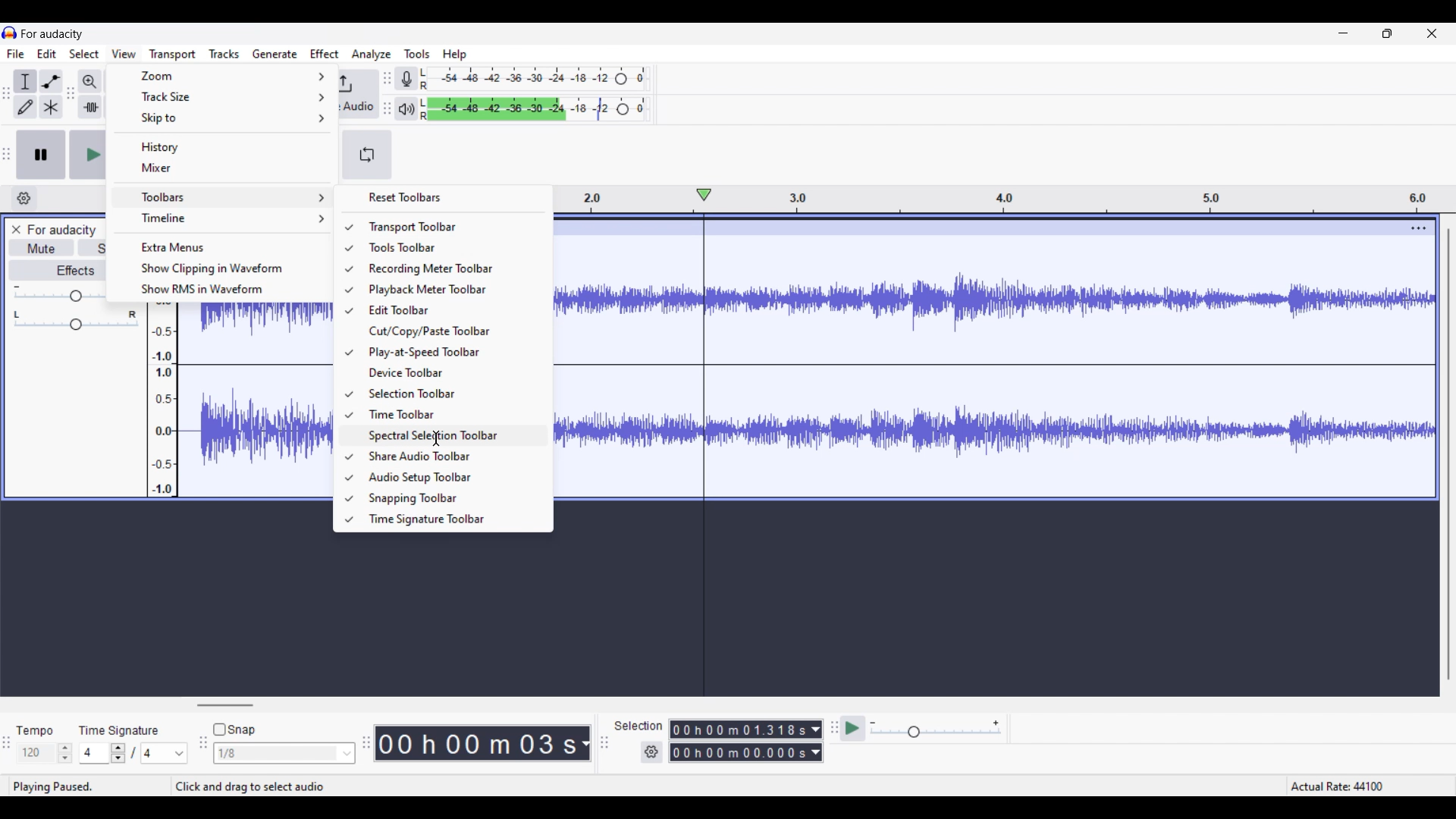 This screenshot has height=819, width=1456. Describe the element at coordinates (84, 54) in the screenshot. I see `Select menu` at that location.